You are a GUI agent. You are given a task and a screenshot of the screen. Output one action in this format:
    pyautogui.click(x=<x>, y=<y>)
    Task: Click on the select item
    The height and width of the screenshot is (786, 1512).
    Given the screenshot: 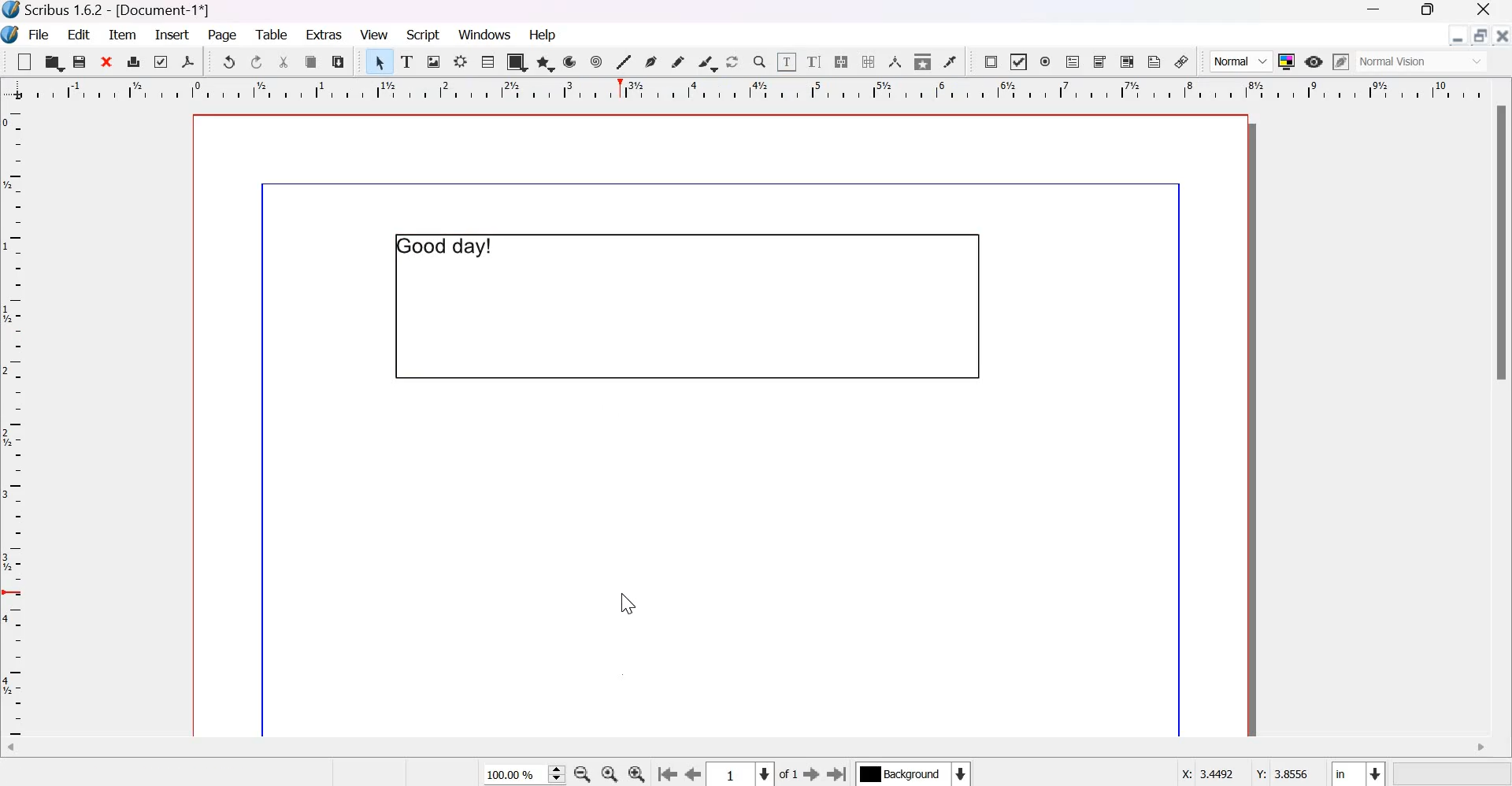 What is the action you would take?
    pyautogui.click(x=380, y=61)
    